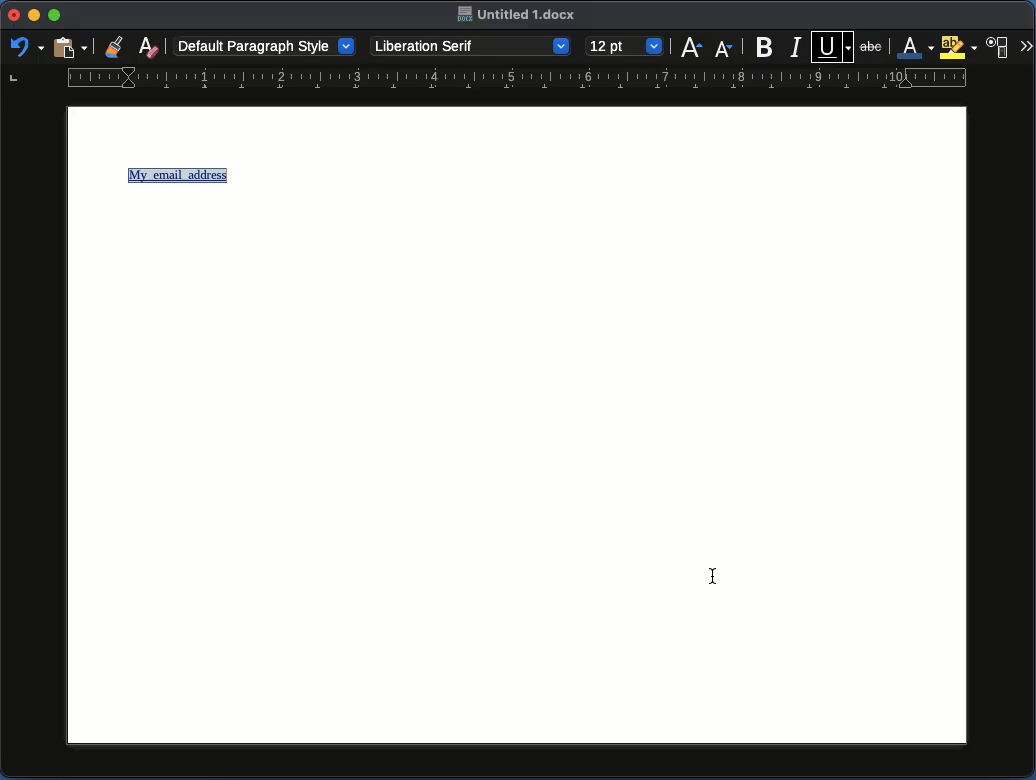 The image size is (1036, 780). What do you see at coordinates (489, 81) in the screenshot?
I see `Ruler` at bounding box center [489, 81].